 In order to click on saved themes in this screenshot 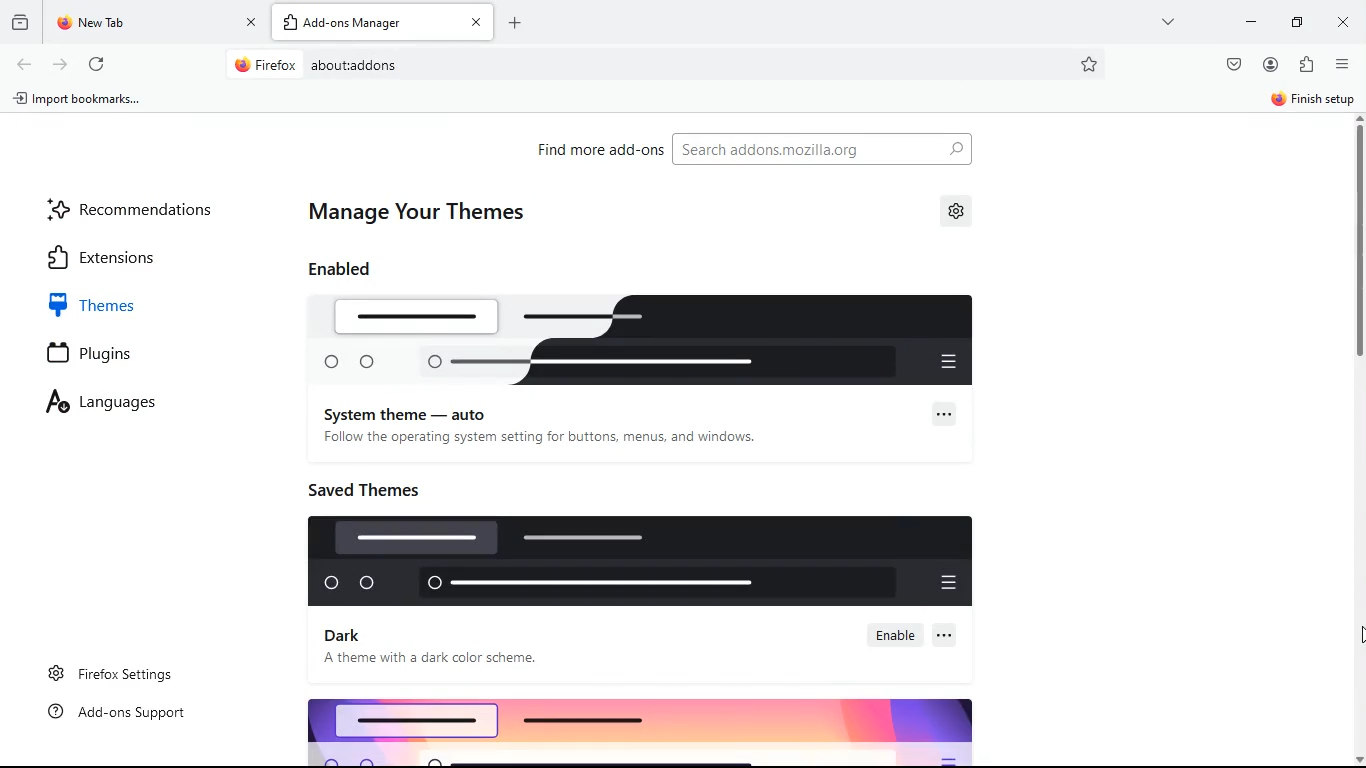, I will do `click(372, 486)`.